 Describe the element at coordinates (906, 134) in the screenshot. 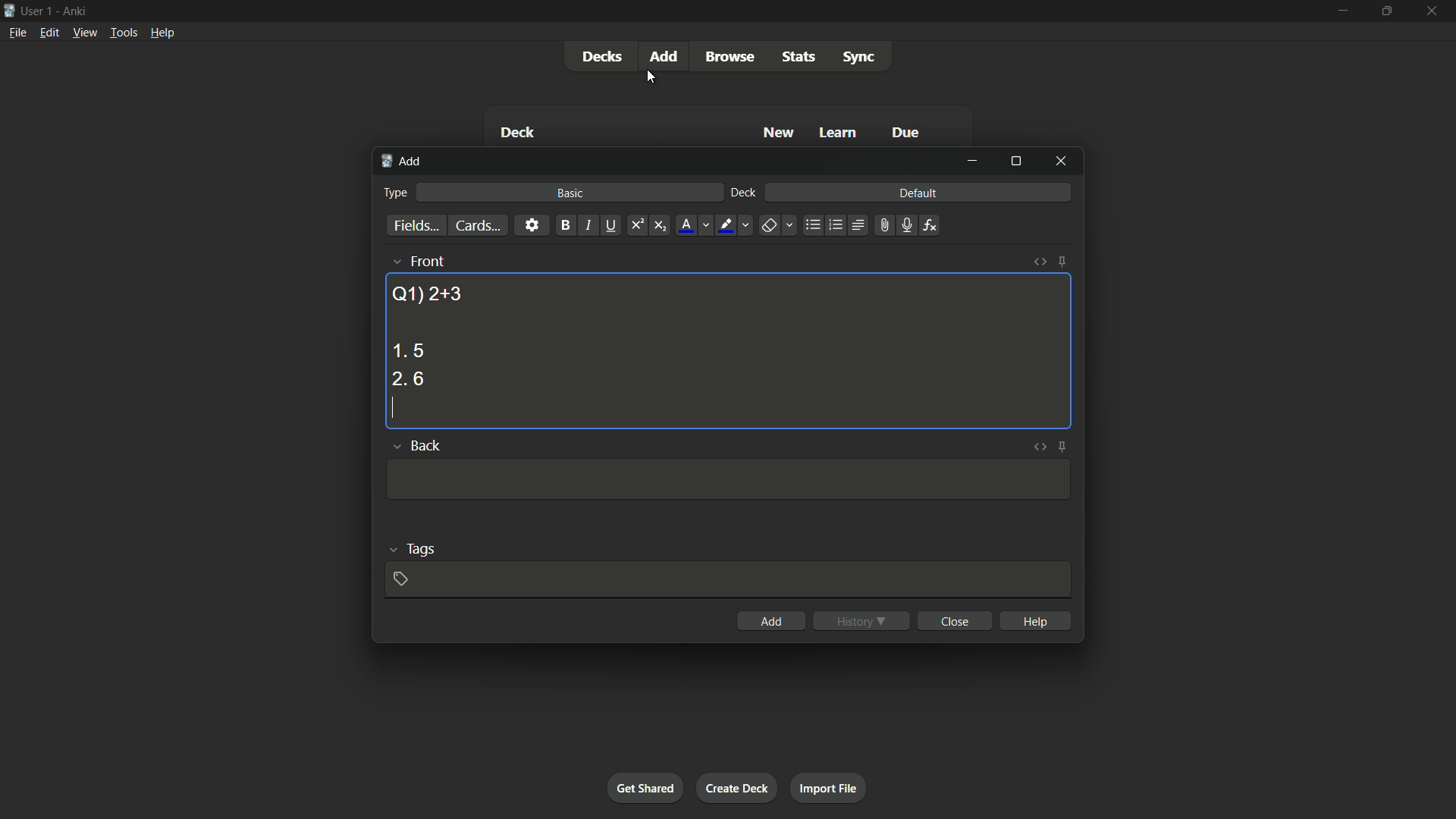

I see `due` at that location.